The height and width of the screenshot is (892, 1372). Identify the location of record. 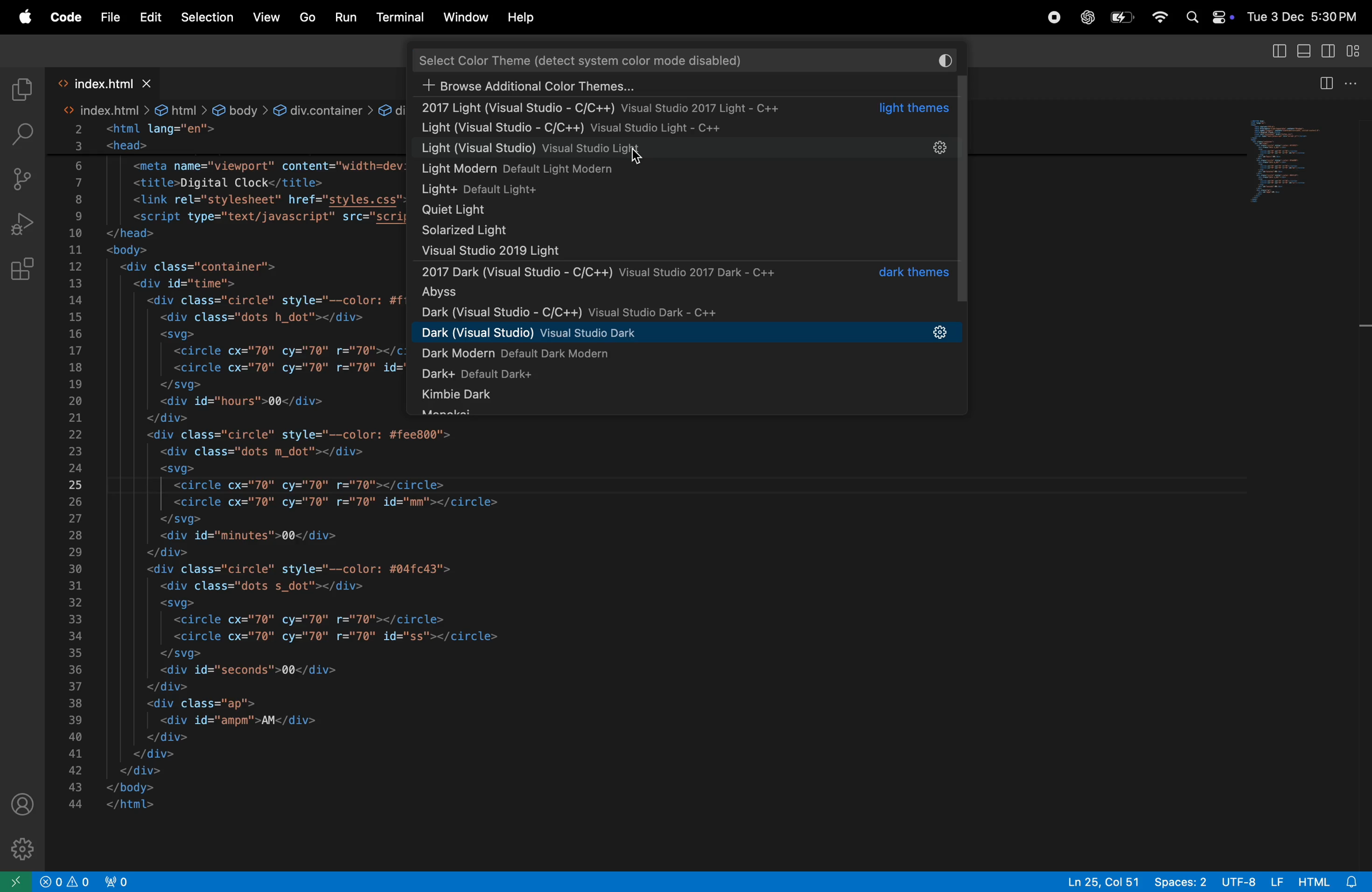
(1054, 16).